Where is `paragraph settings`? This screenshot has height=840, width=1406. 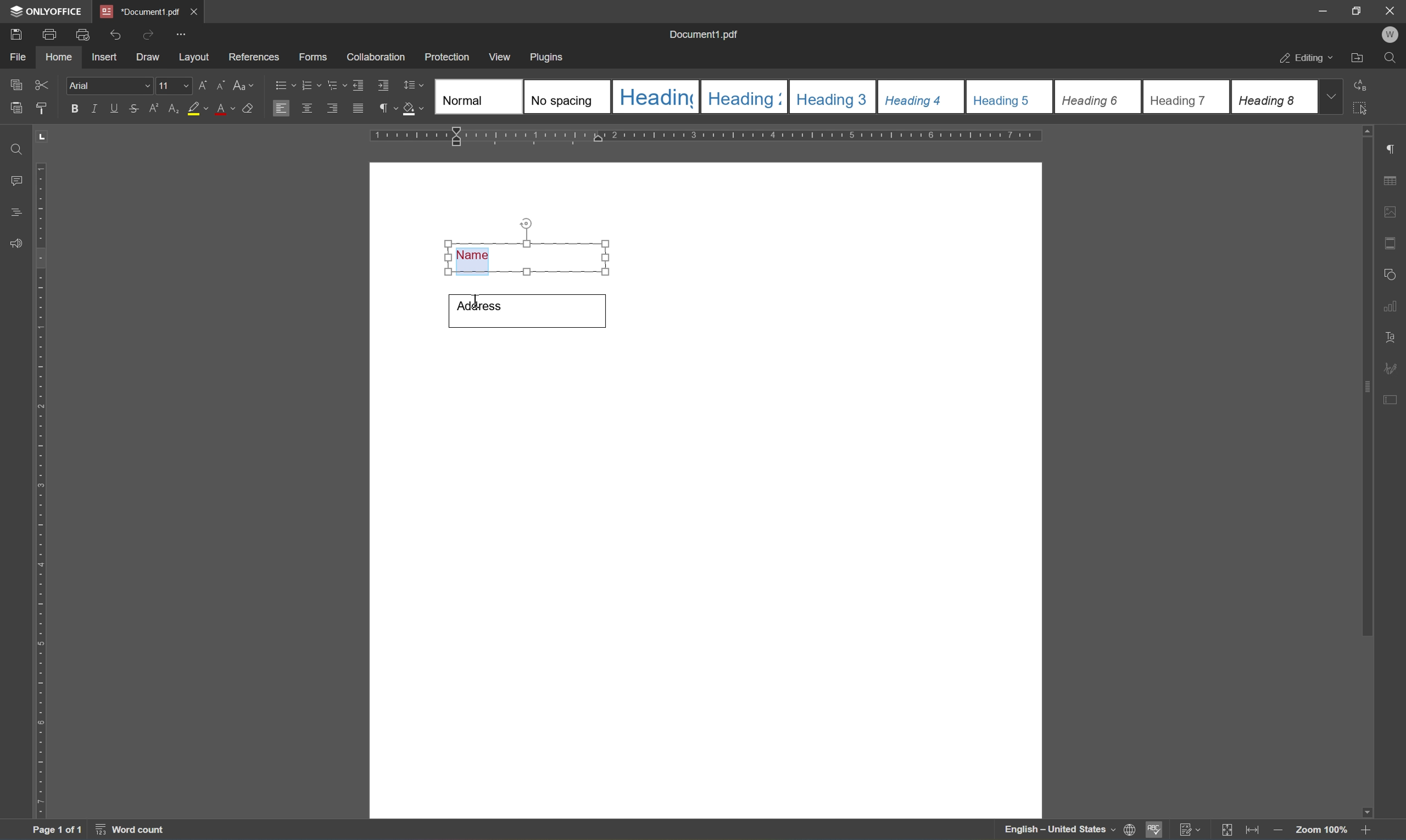 paragraph settings is located at coordinates (1393, 147).